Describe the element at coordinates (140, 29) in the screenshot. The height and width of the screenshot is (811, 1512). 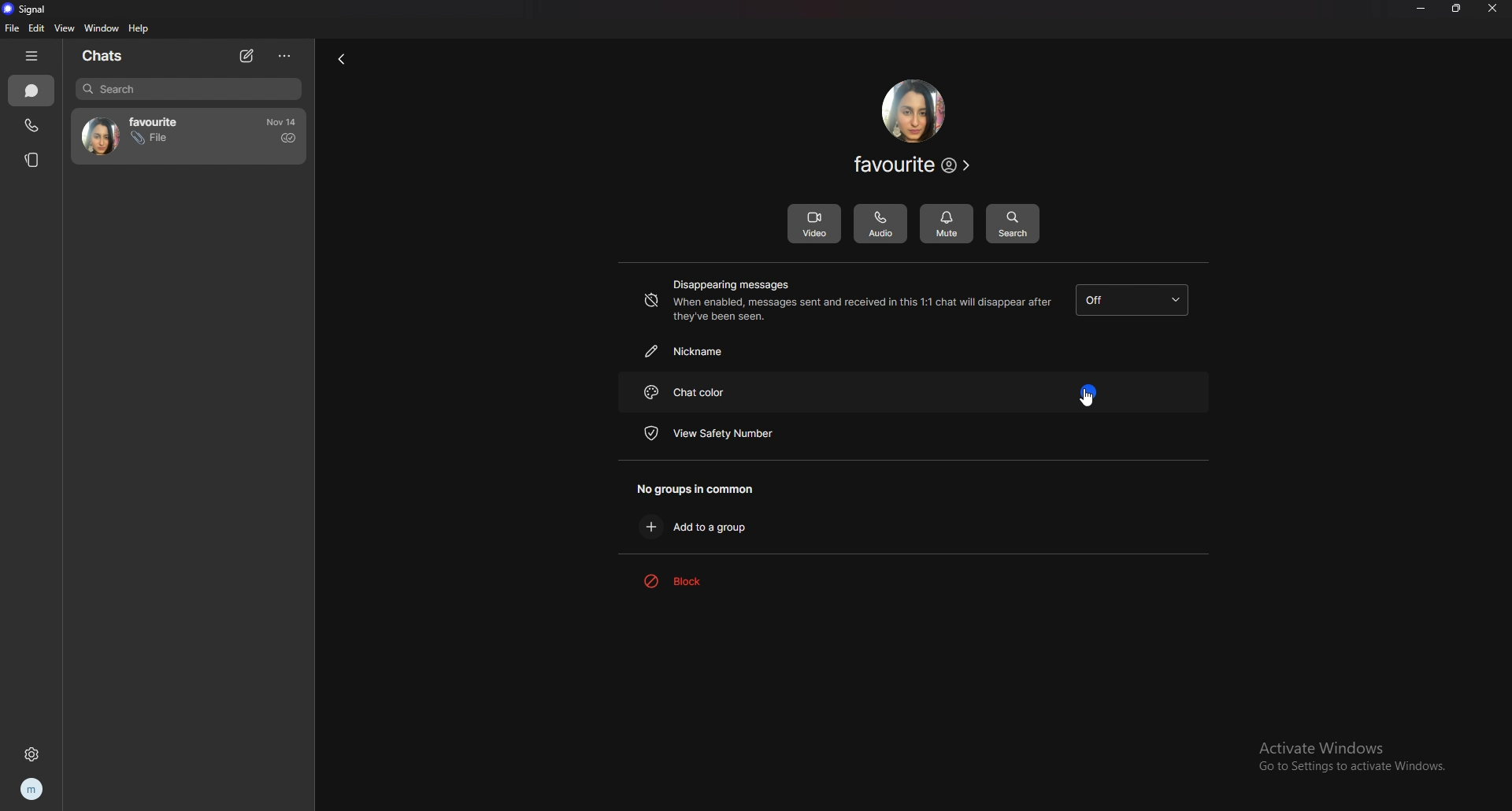
I see `help` at that location.